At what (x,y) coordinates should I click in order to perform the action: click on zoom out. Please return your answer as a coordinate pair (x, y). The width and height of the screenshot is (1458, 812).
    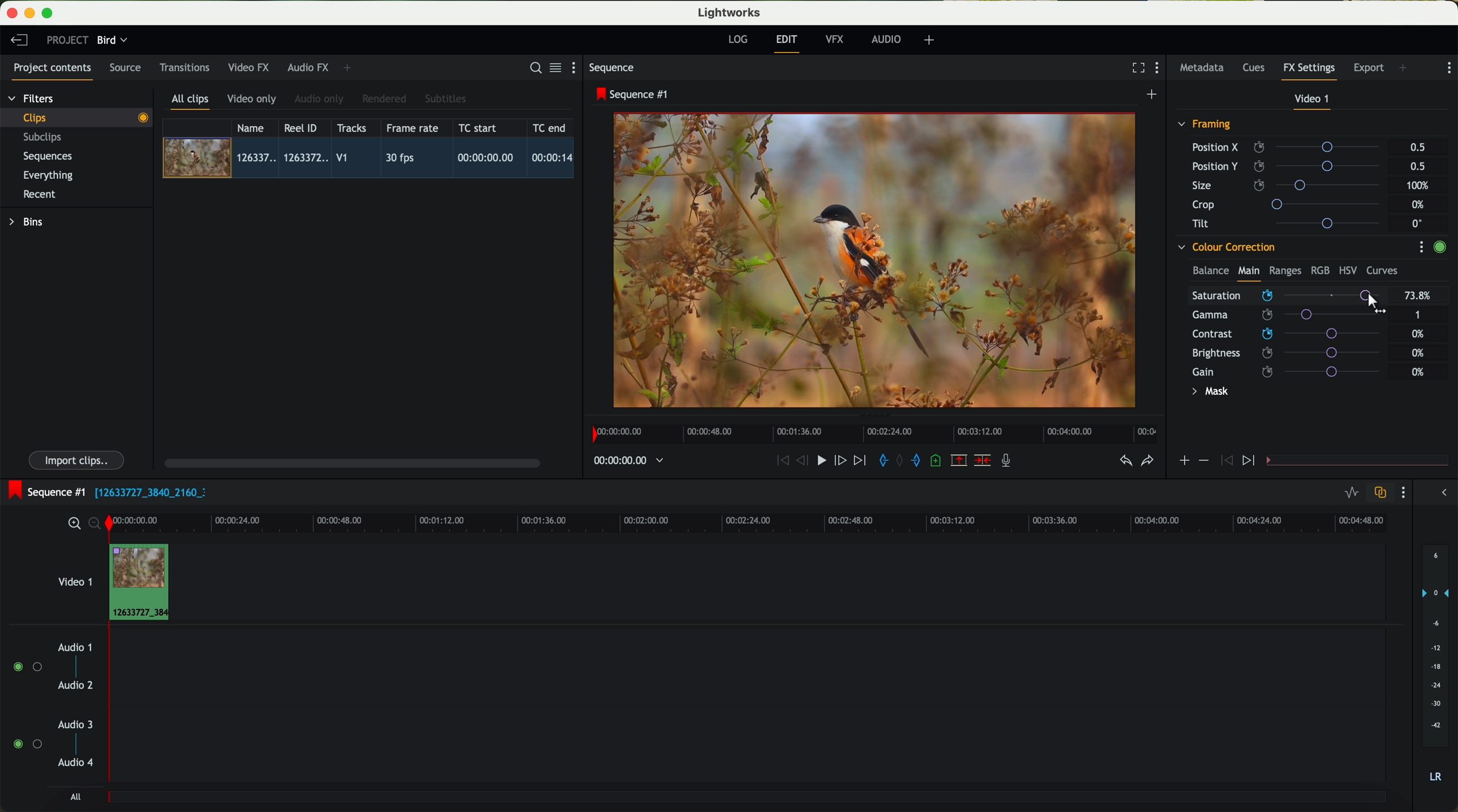
    Looking at the image, I should click on (96, 525).